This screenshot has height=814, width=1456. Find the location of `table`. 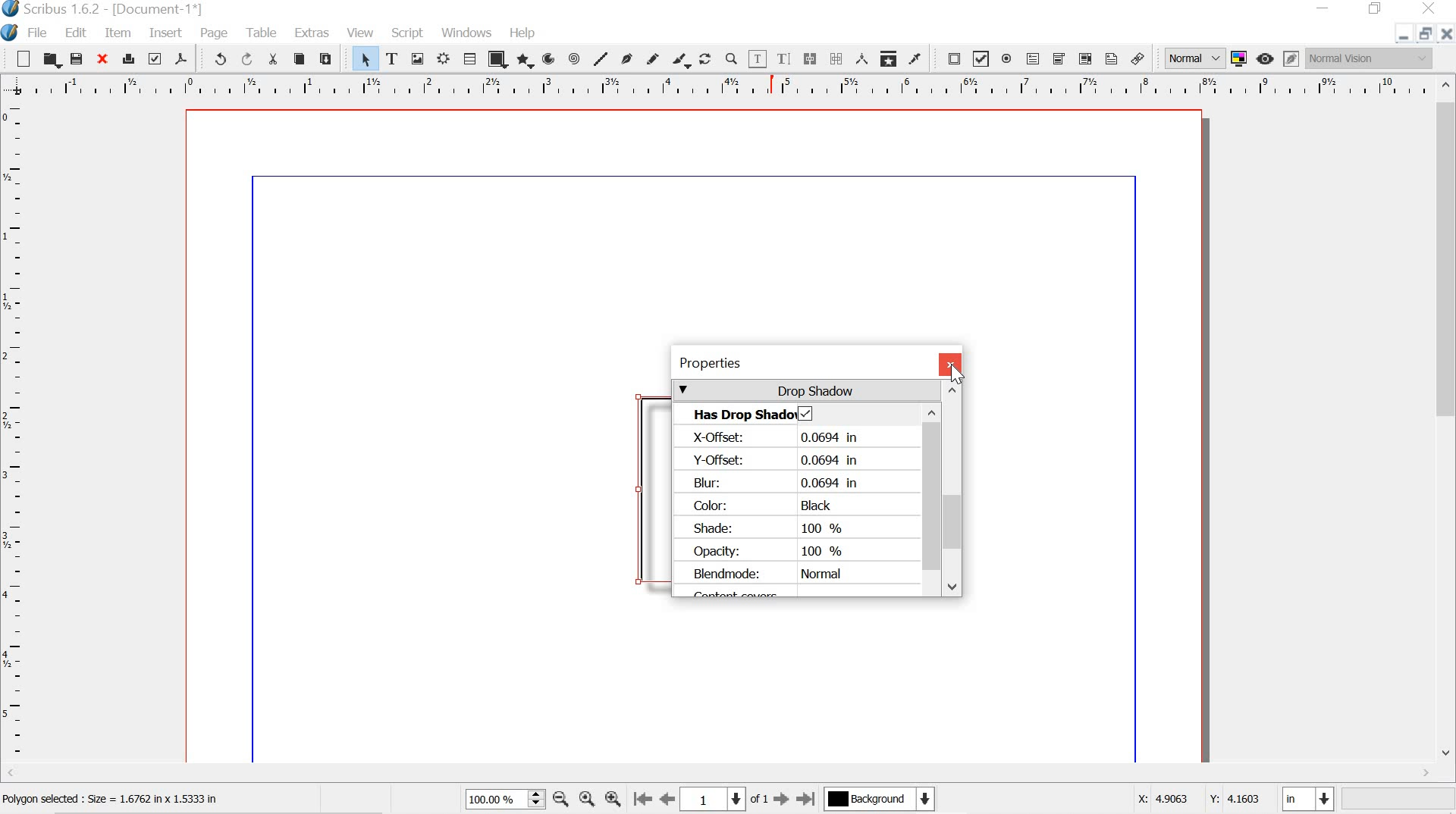

table is located at coordinates (469, 59).